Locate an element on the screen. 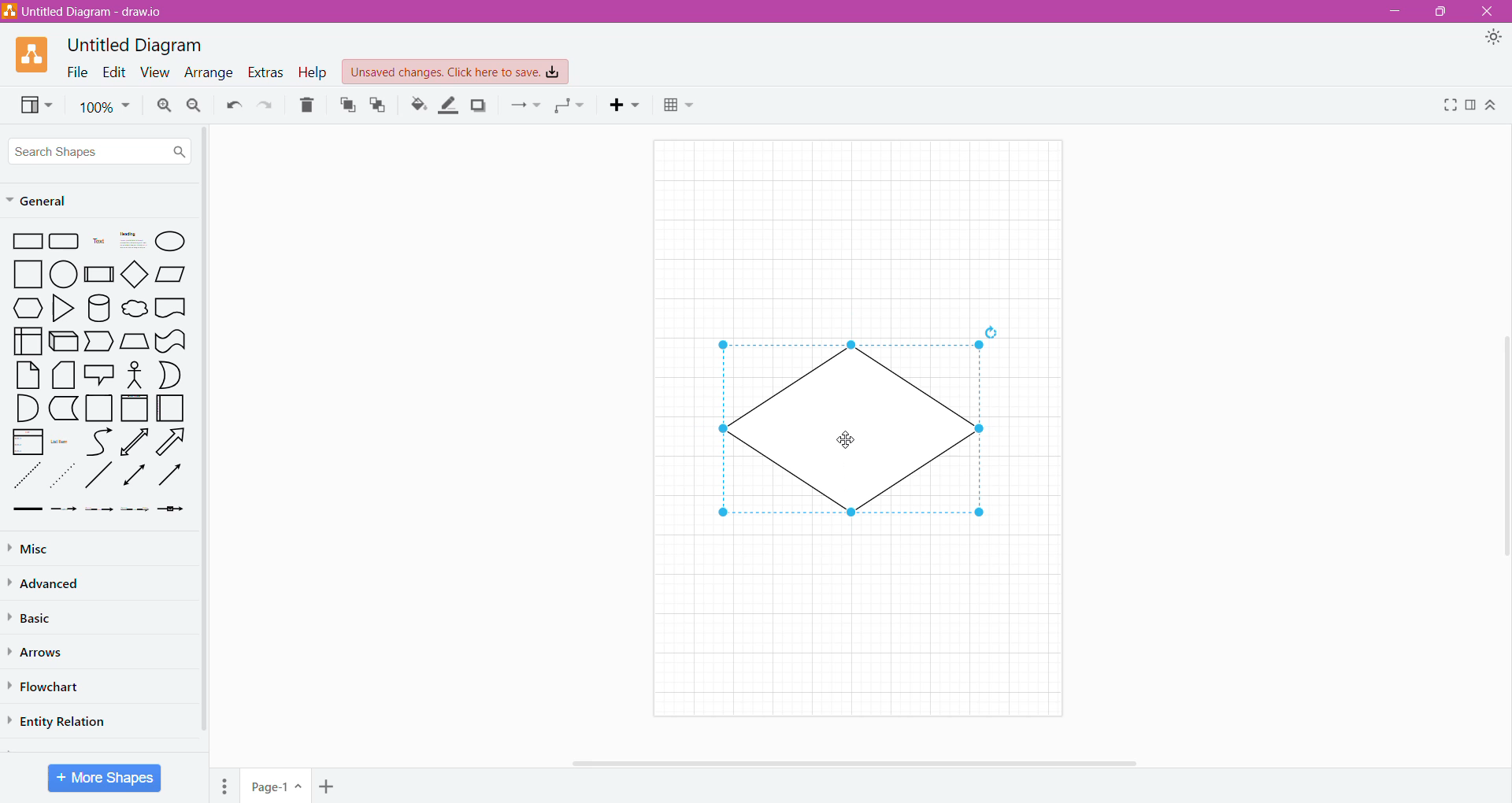  Table is located at coordinates (679, 107).